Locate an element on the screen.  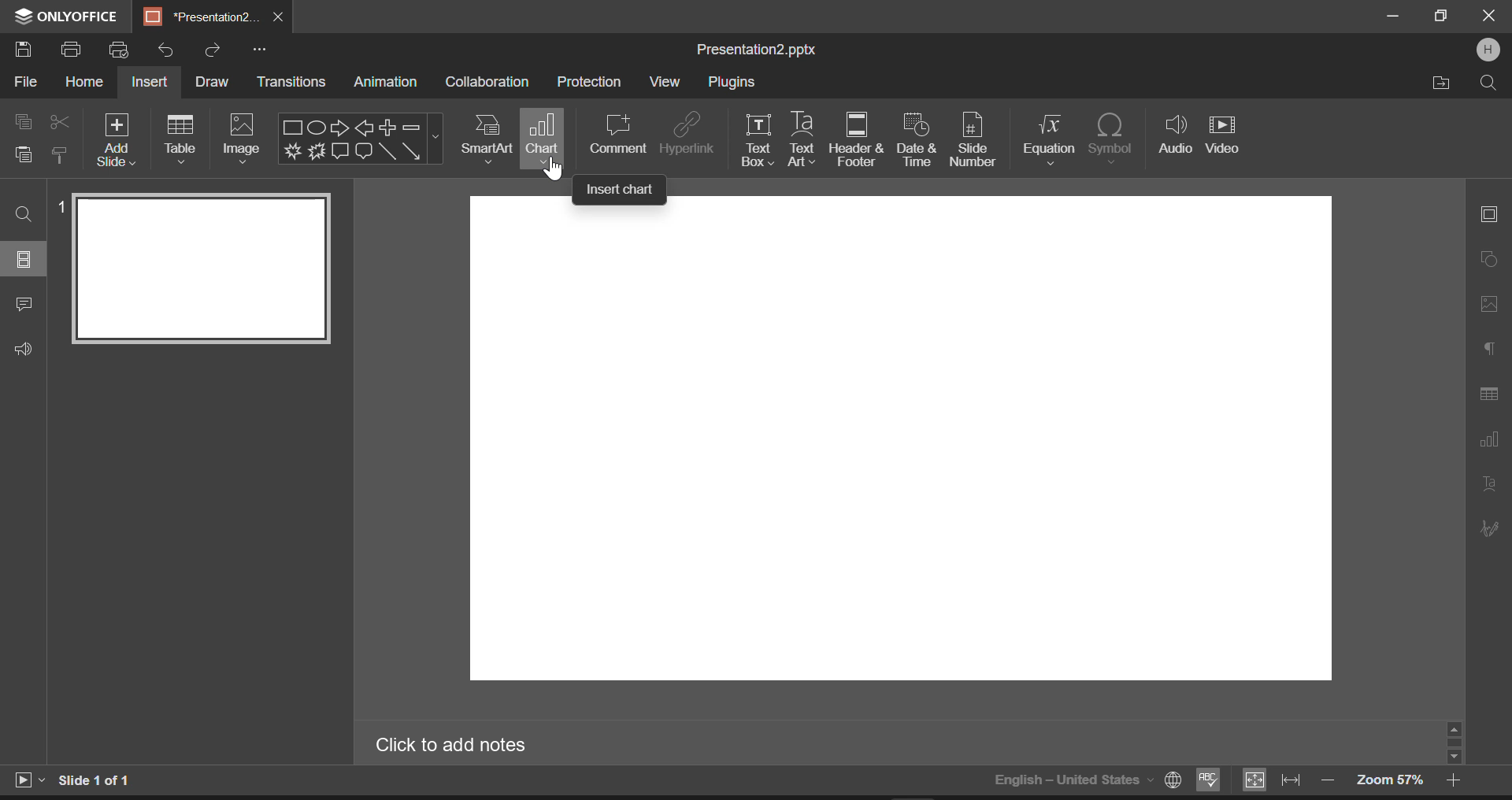
Table Settings is located at coordinates (1489, 394).